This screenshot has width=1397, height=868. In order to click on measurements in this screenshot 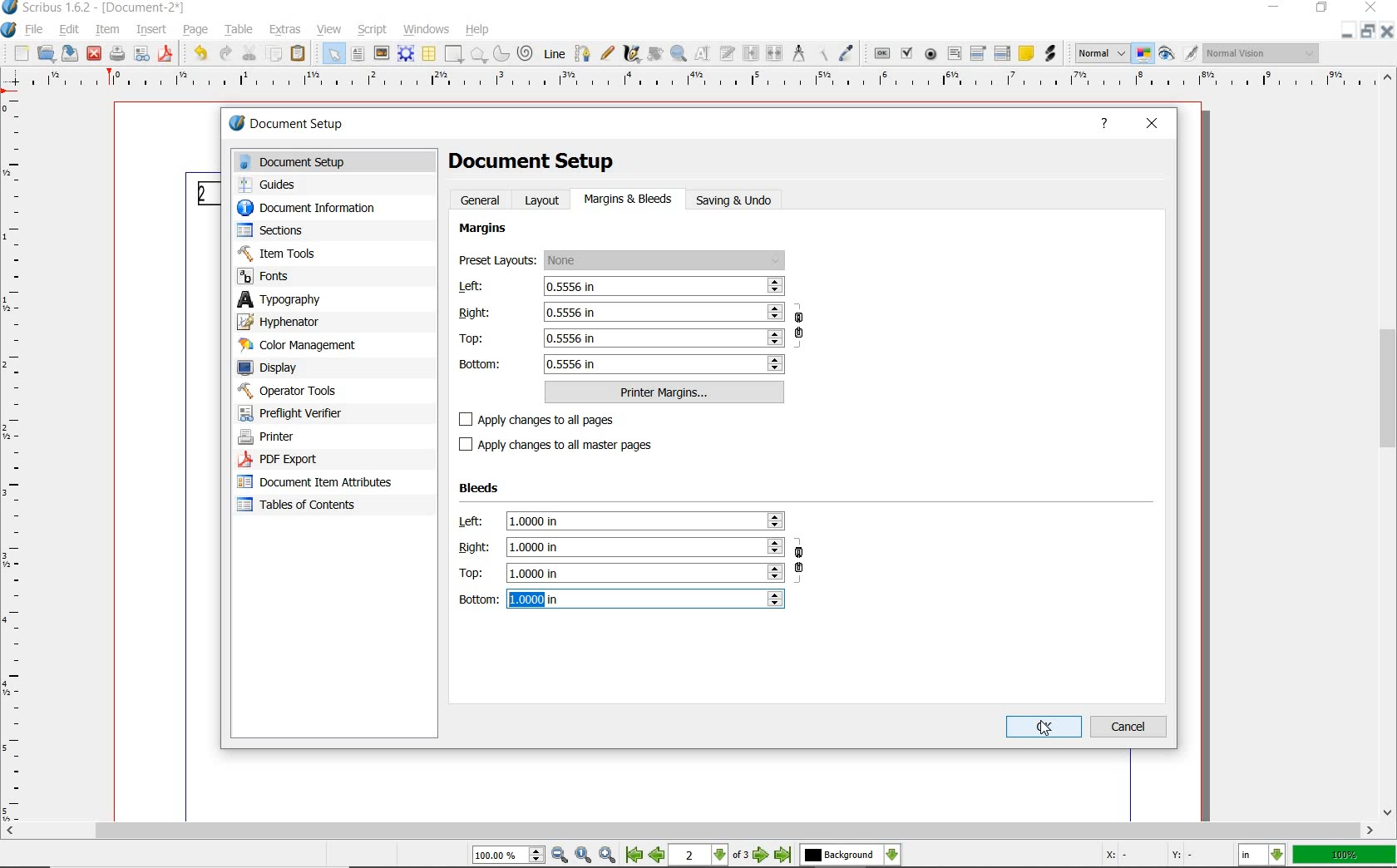, I will do `click(800, 55)`.